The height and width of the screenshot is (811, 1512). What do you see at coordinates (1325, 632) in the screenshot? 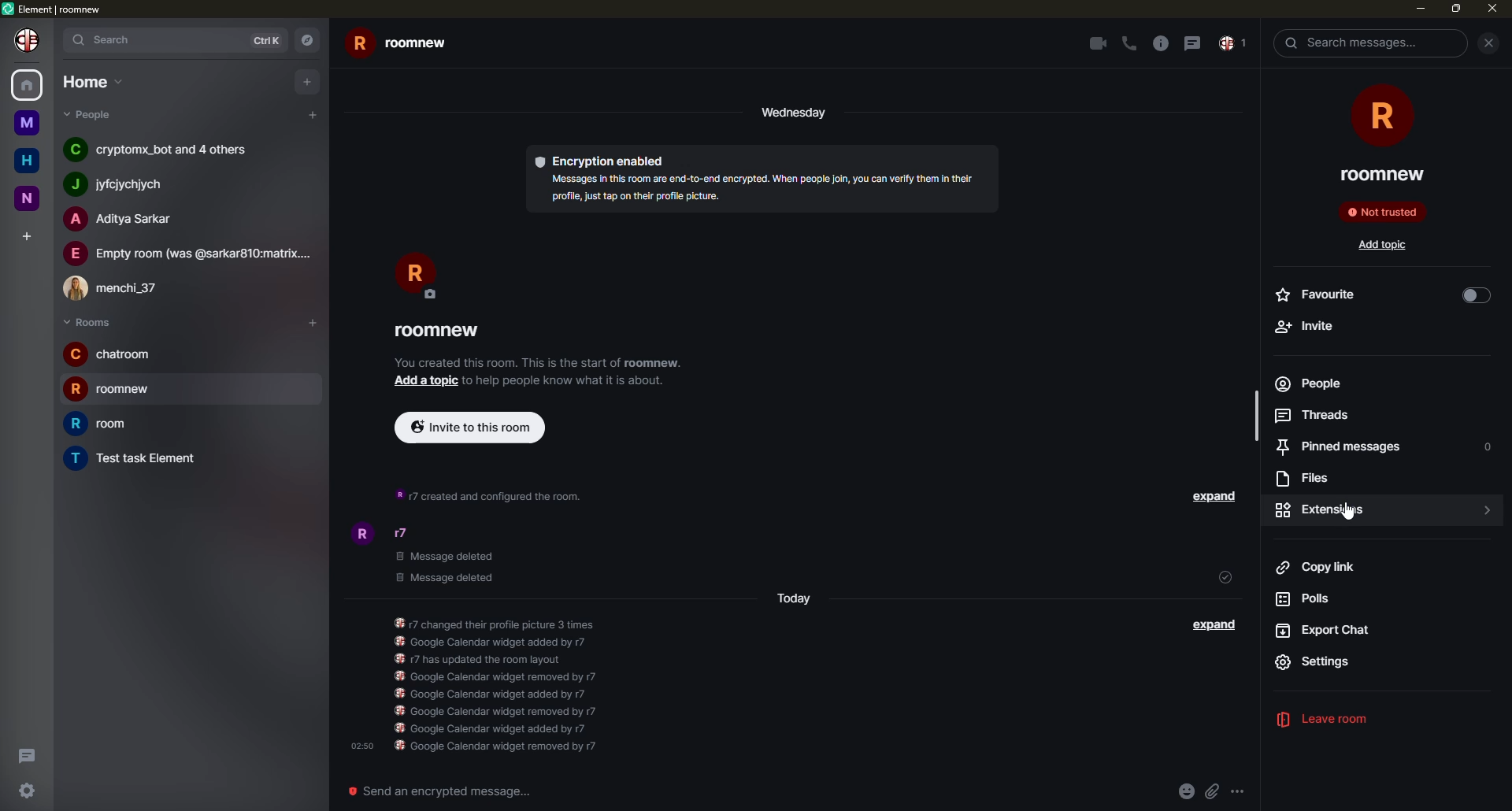
I see `export chat` at bounding box center [1325, 632].